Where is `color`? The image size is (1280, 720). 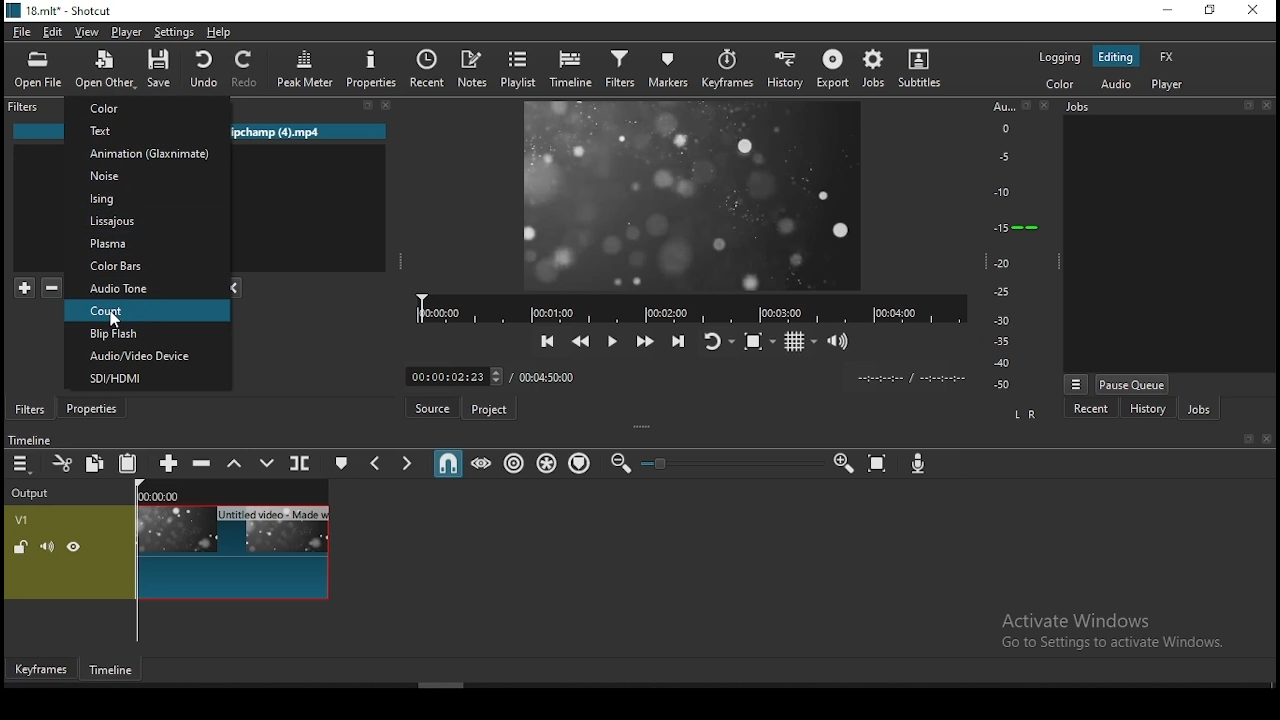
color is located at coordinates (1059, 86).